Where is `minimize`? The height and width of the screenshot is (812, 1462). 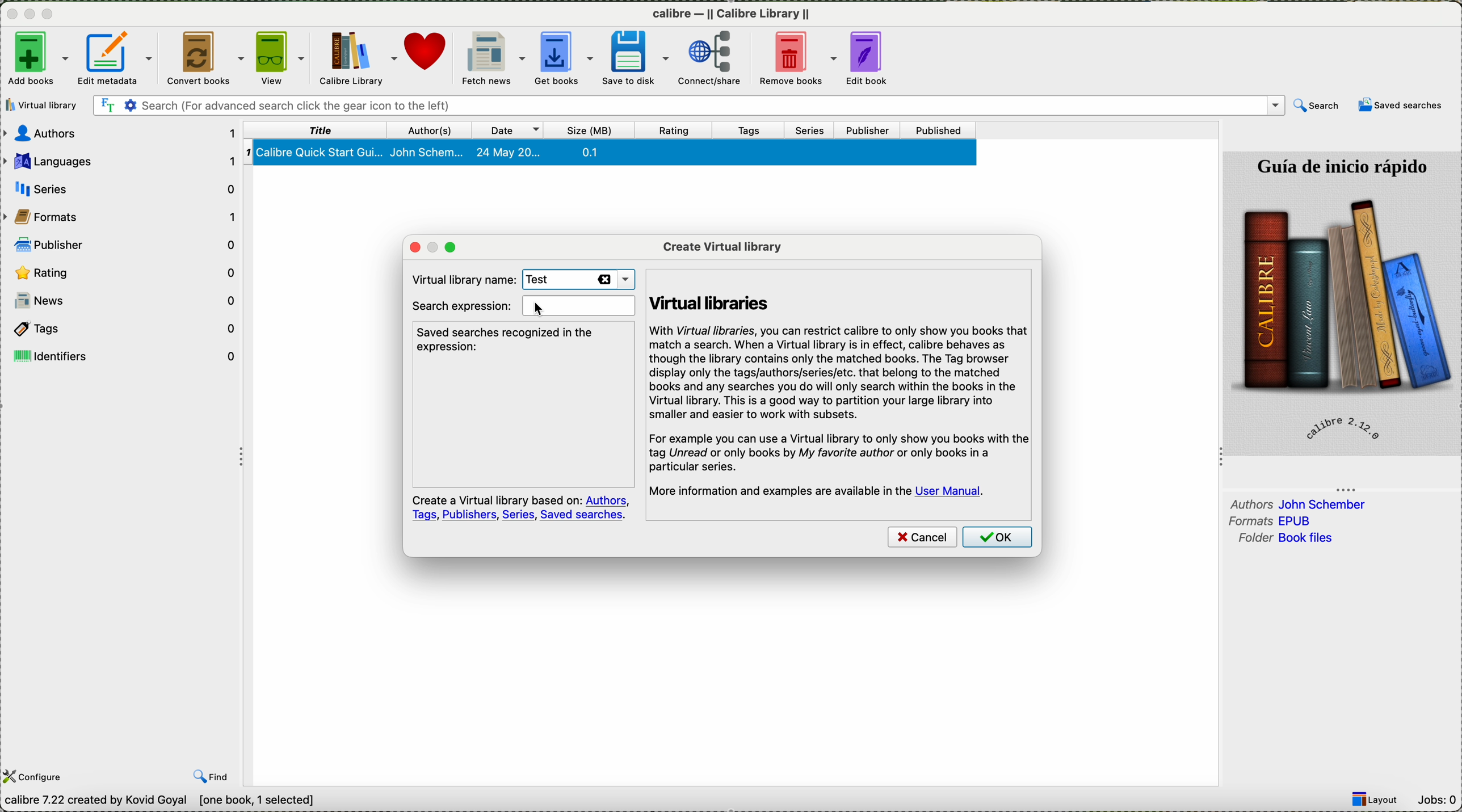 minimize is located at coordinates (30, 18).